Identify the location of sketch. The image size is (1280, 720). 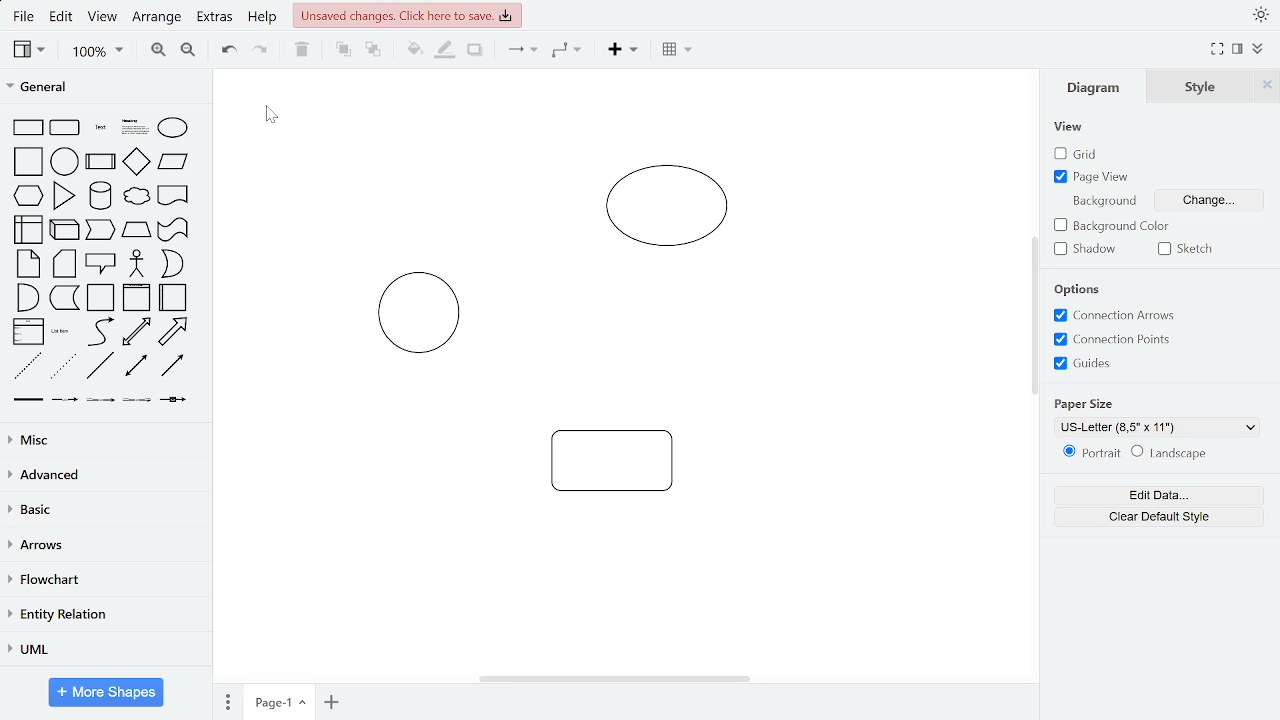
(1190, 248).